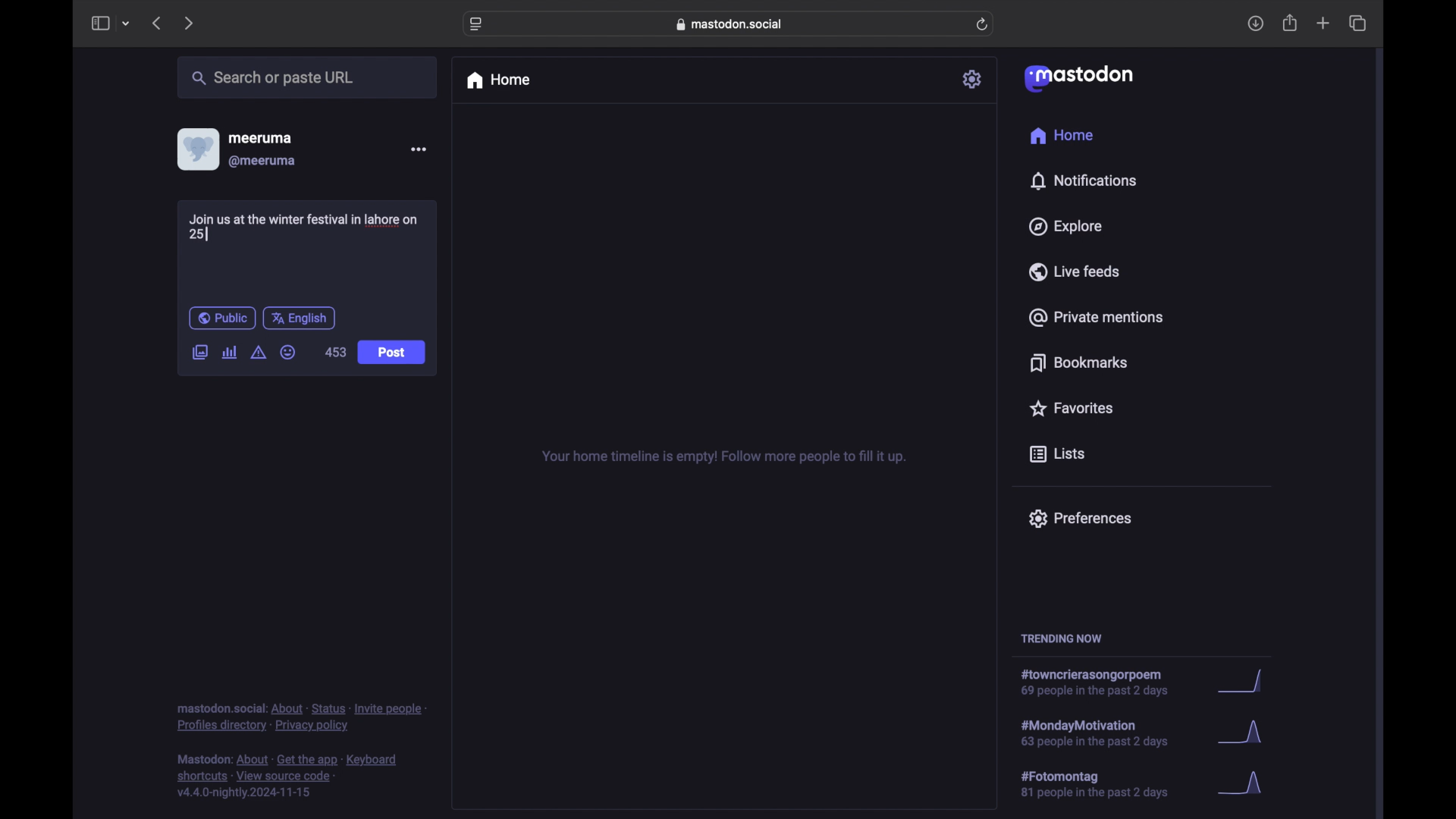  Describe the element at coordinates (1064, 227) in the screenshot. I see `explore` at that location.